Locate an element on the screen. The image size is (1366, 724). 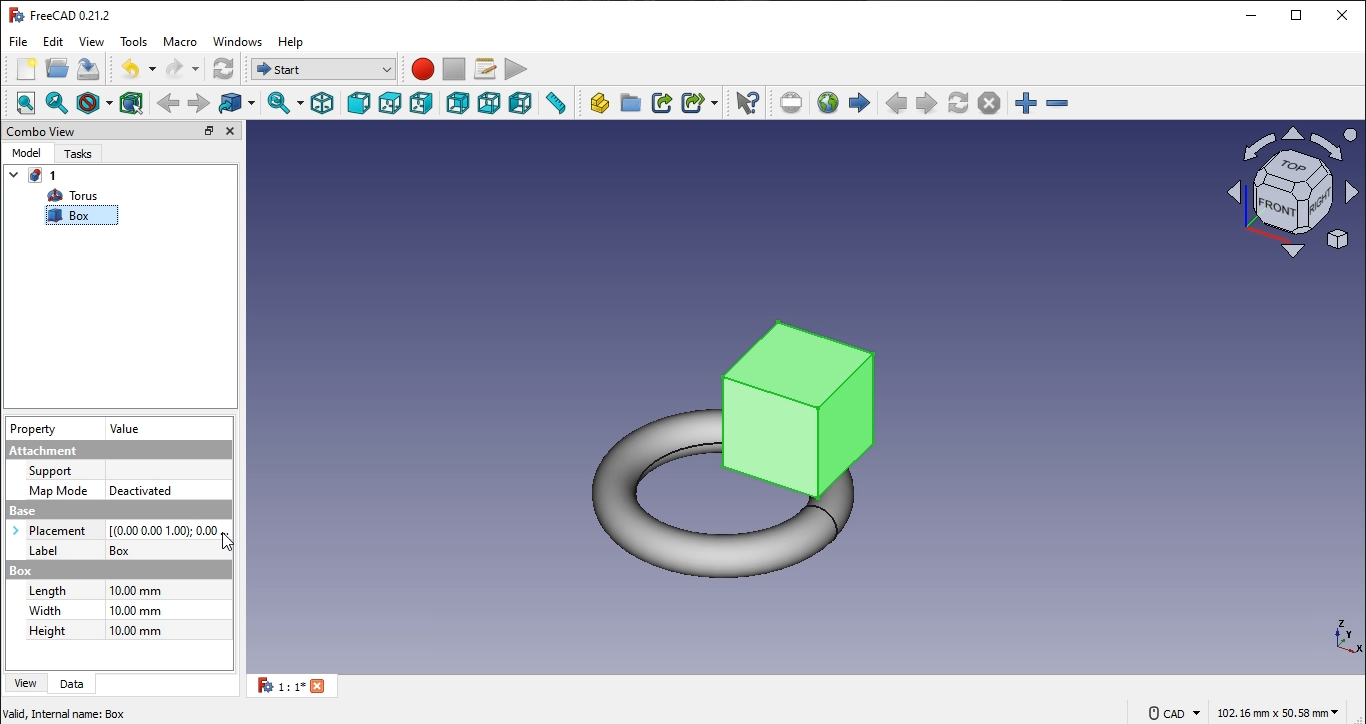
refresh is located at coordinates (960, 102).